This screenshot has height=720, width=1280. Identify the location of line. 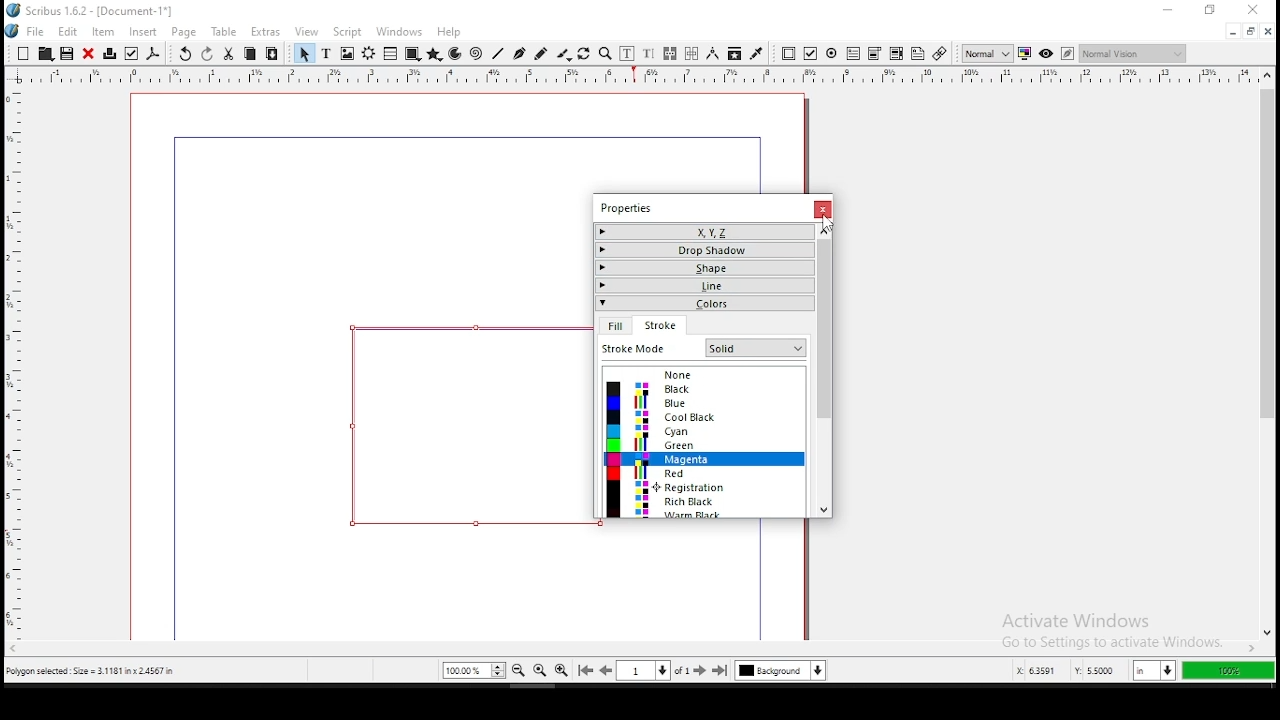
(705, 285).